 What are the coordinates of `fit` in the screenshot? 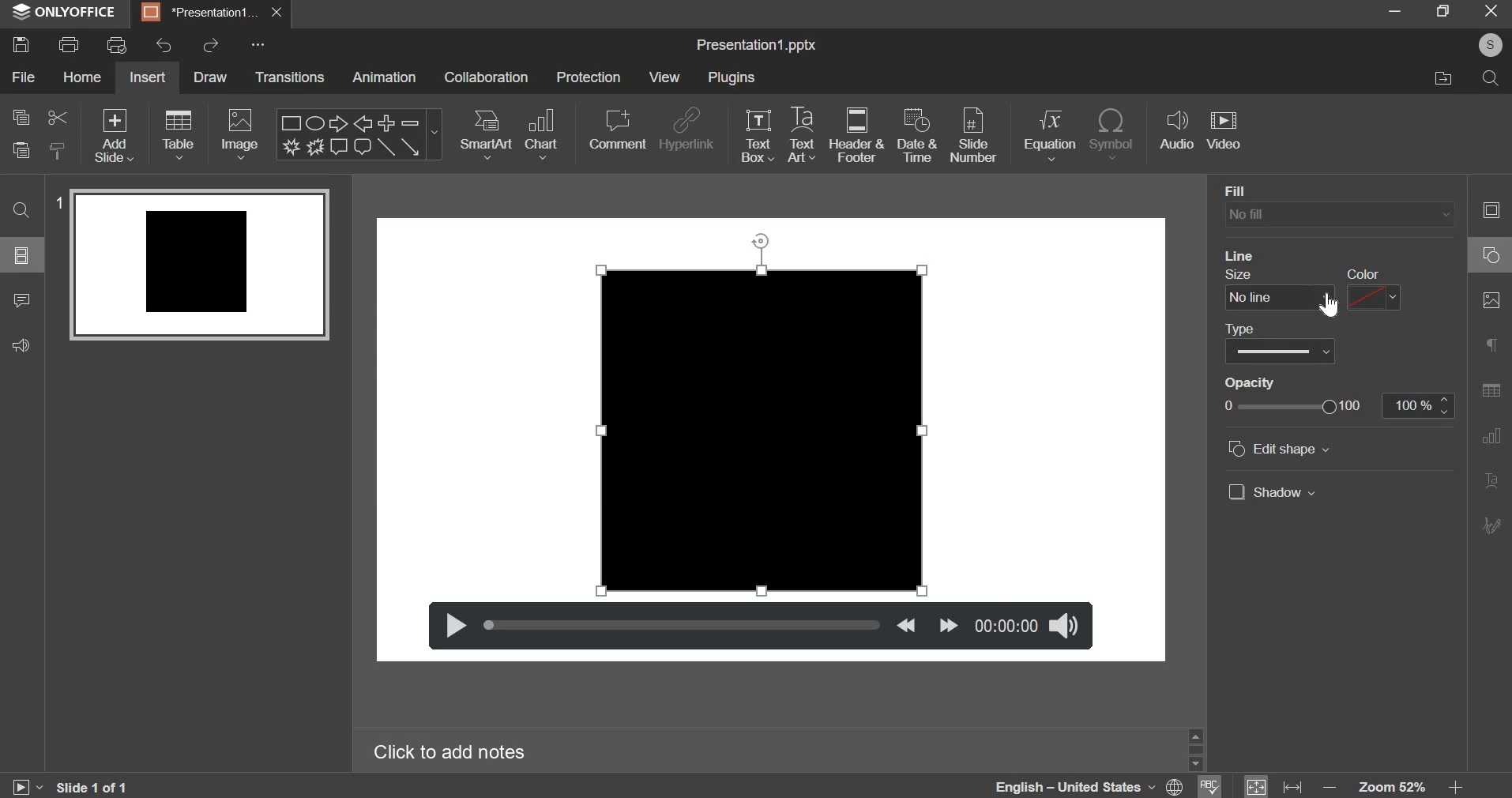 It's located at (1273, 784).